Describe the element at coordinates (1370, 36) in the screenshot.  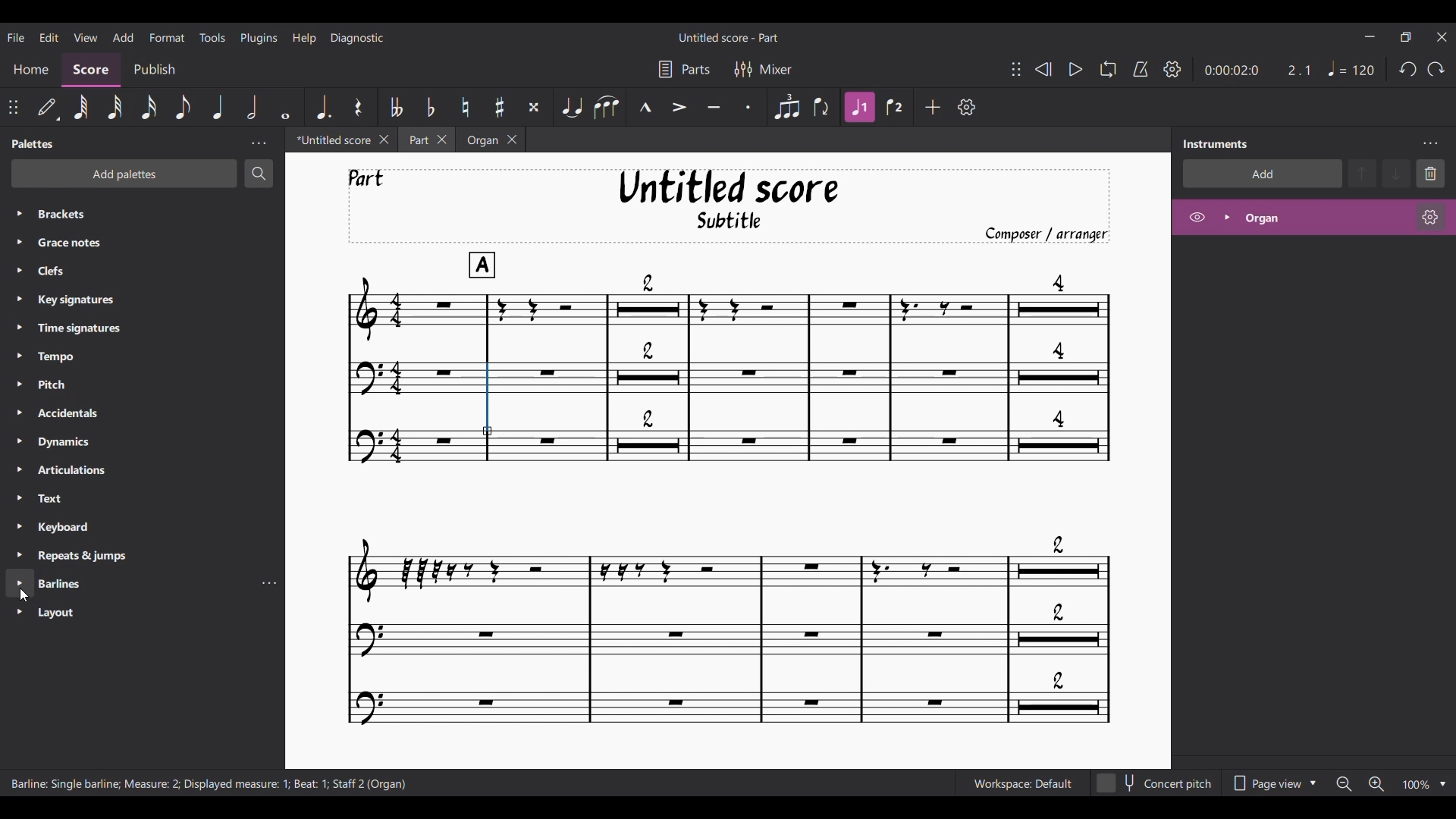
I see `Minimize` at that location.